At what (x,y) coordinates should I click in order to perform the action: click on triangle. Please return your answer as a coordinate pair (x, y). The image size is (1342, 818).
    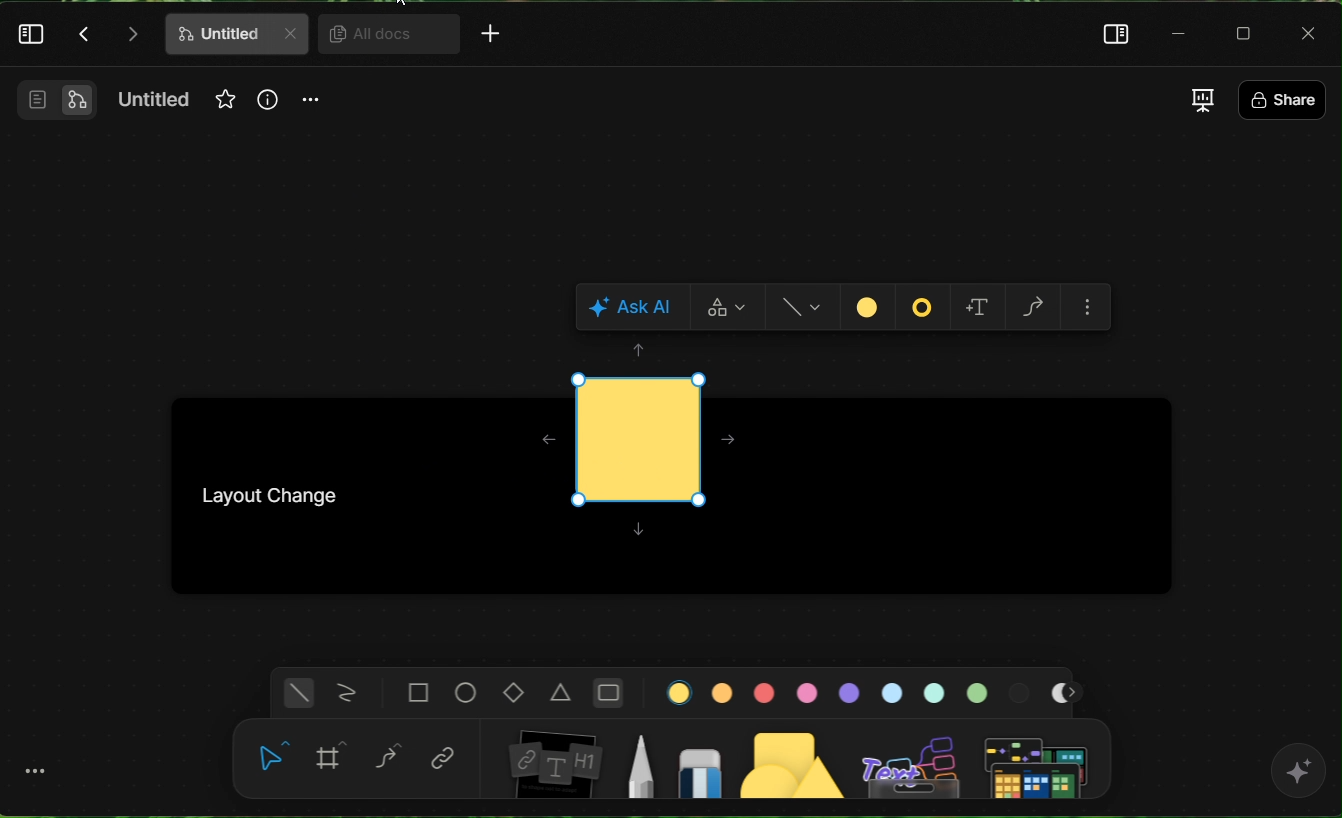
    Looking at the image, I should click on (563, 692).